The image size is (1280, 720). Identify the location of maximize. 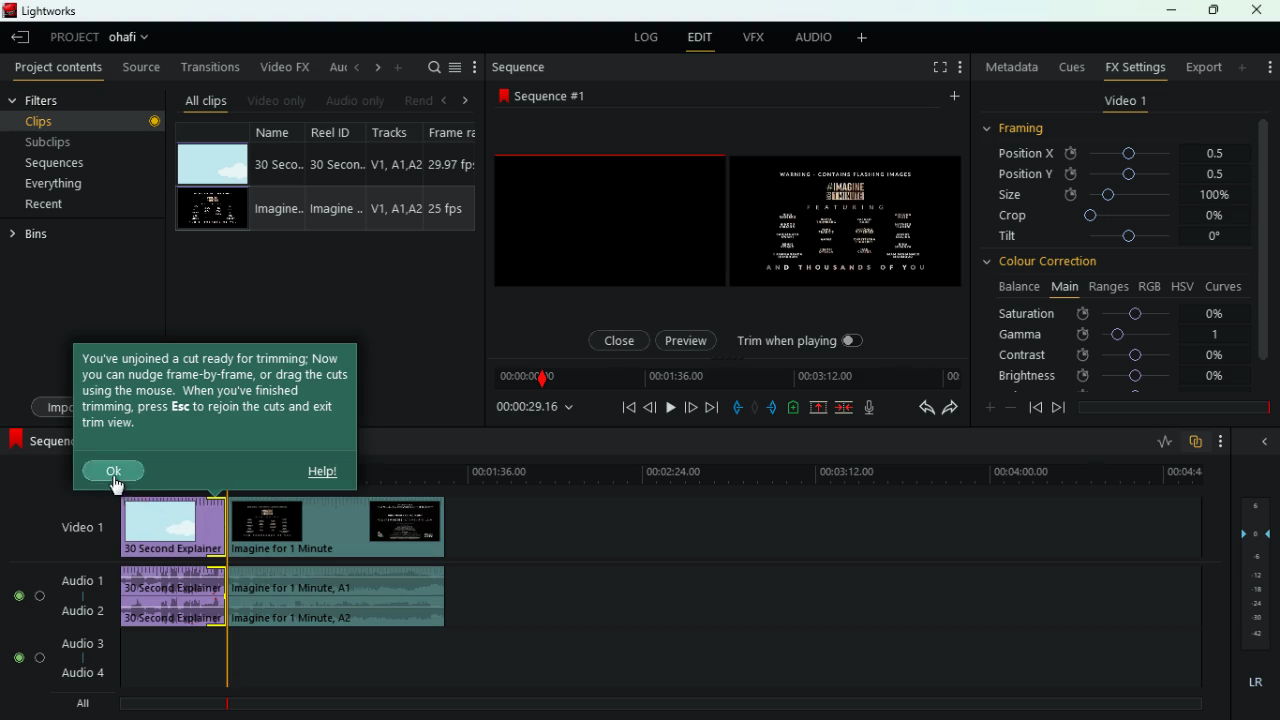
(1215, 10).